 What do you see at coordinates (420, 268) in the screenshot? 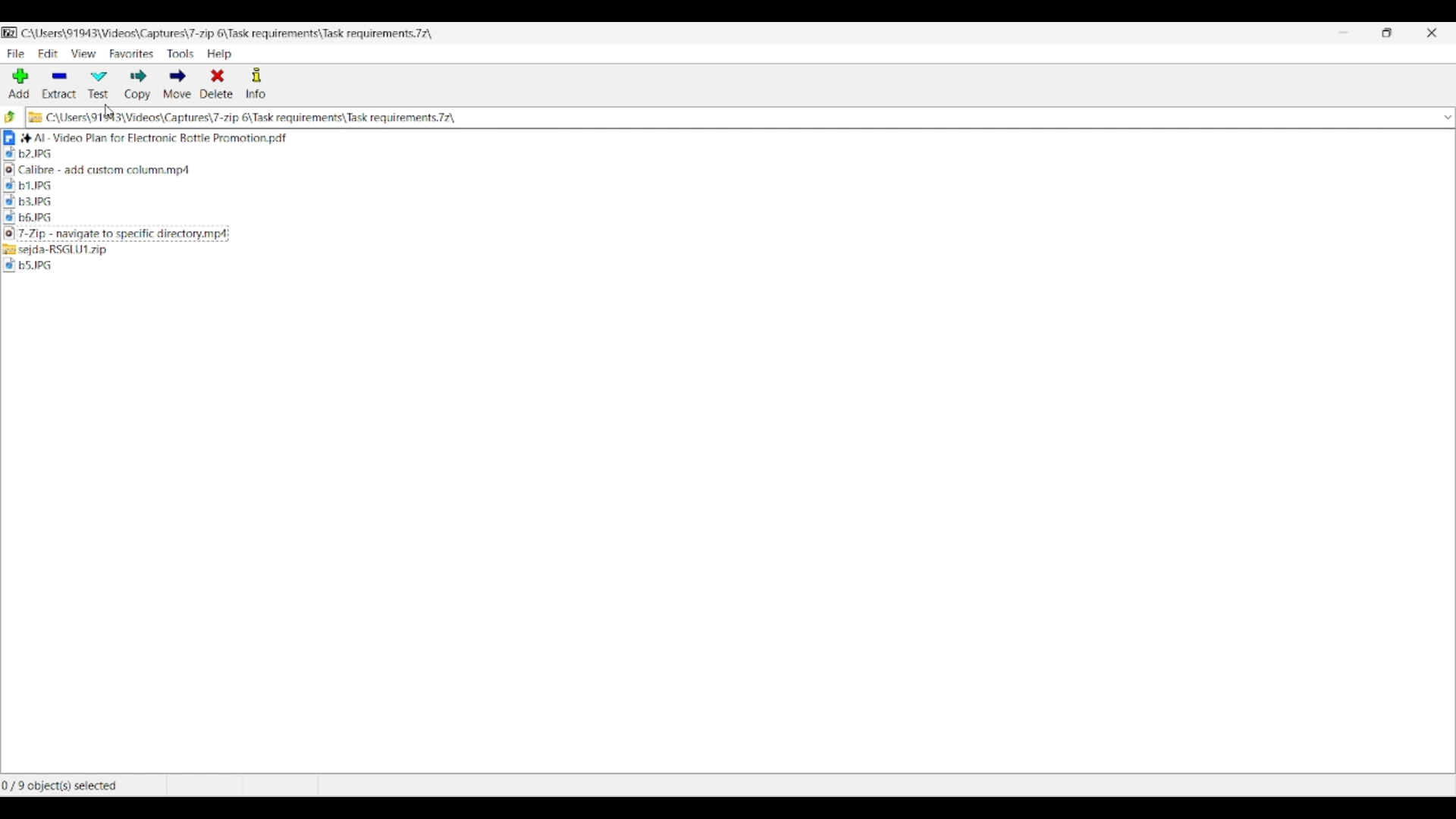
I see `file 9 and type` at bounding box center [420, 268].